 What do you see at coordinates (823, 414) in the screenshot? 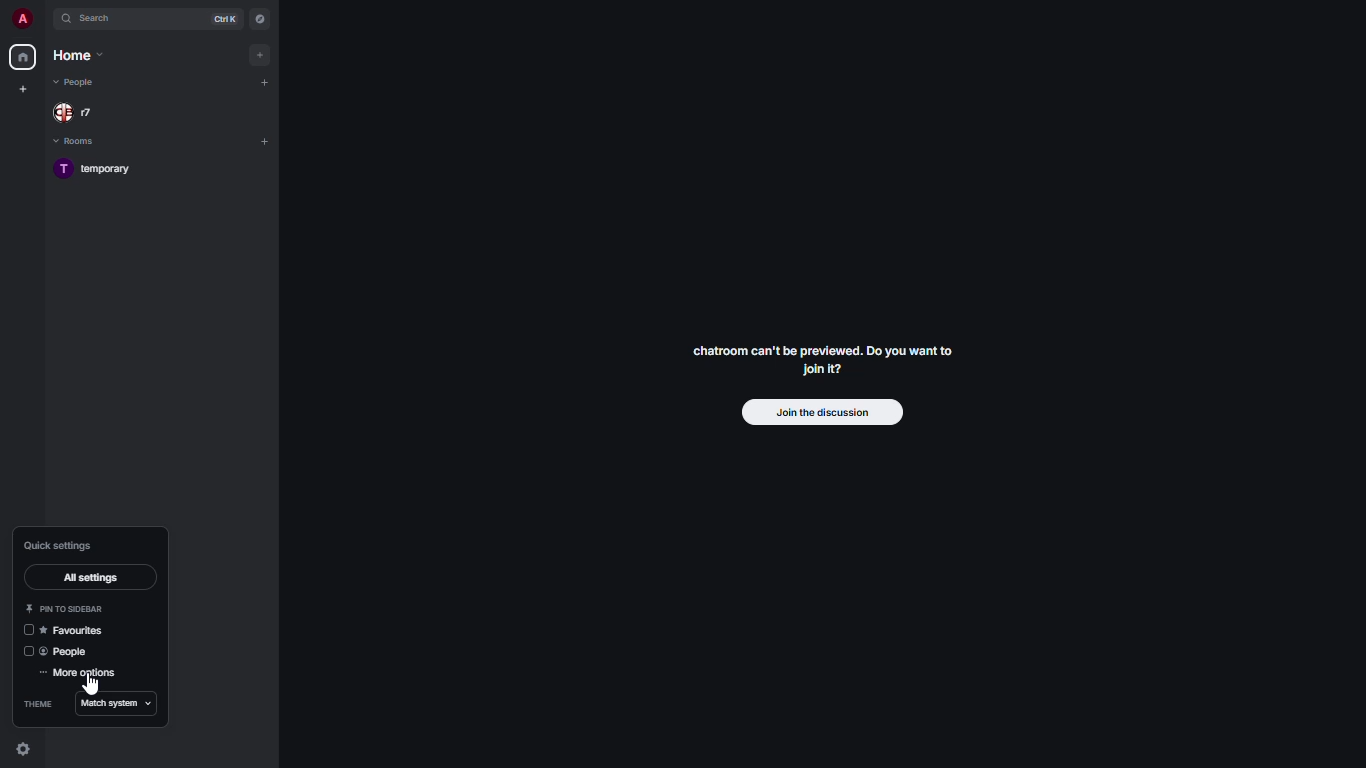
I see `join the discussion` at bounding box center [823, 414].